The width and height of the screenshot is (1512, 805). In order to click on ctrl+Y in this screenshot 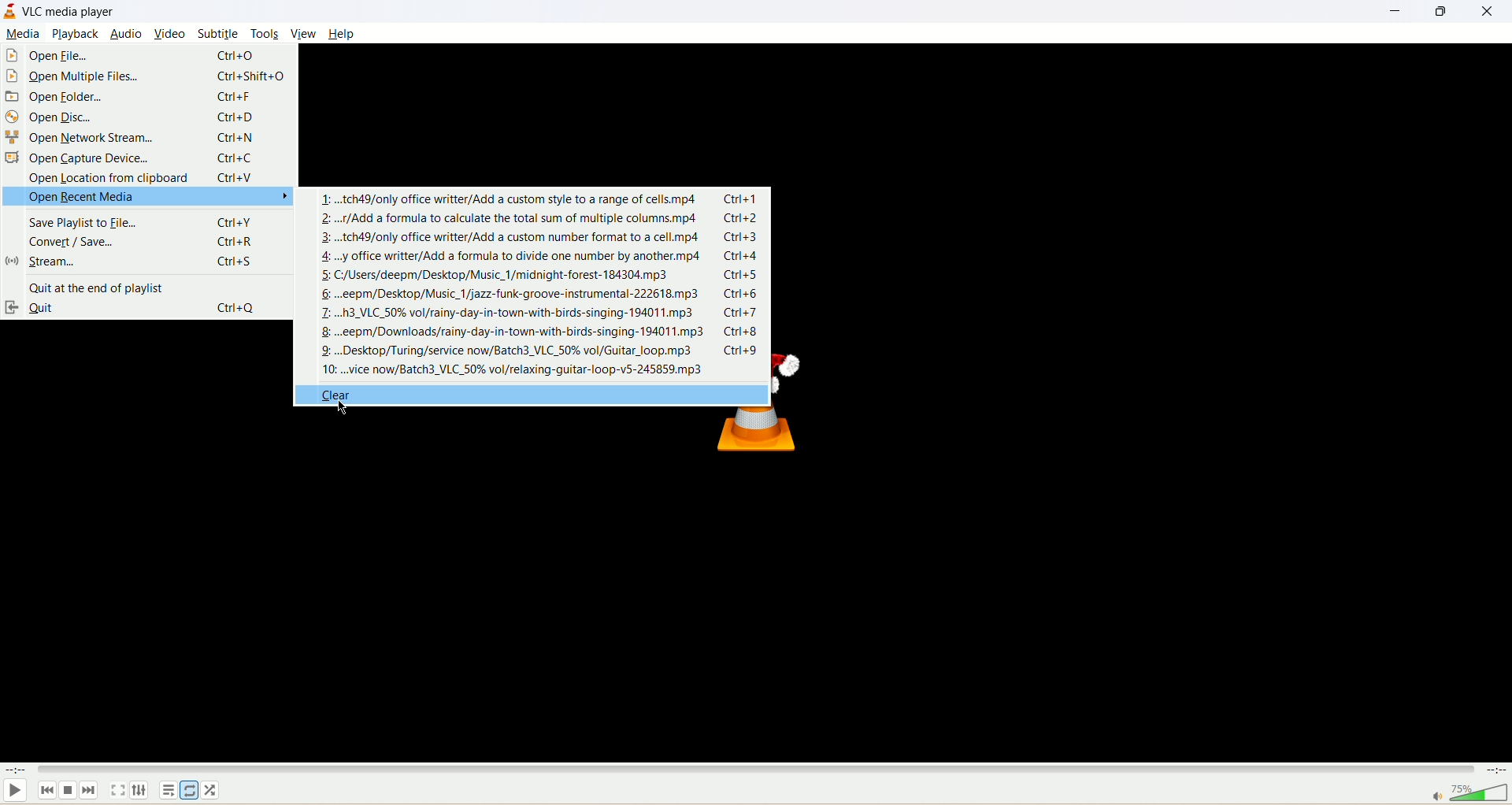, I will do `click(235, 223)`.